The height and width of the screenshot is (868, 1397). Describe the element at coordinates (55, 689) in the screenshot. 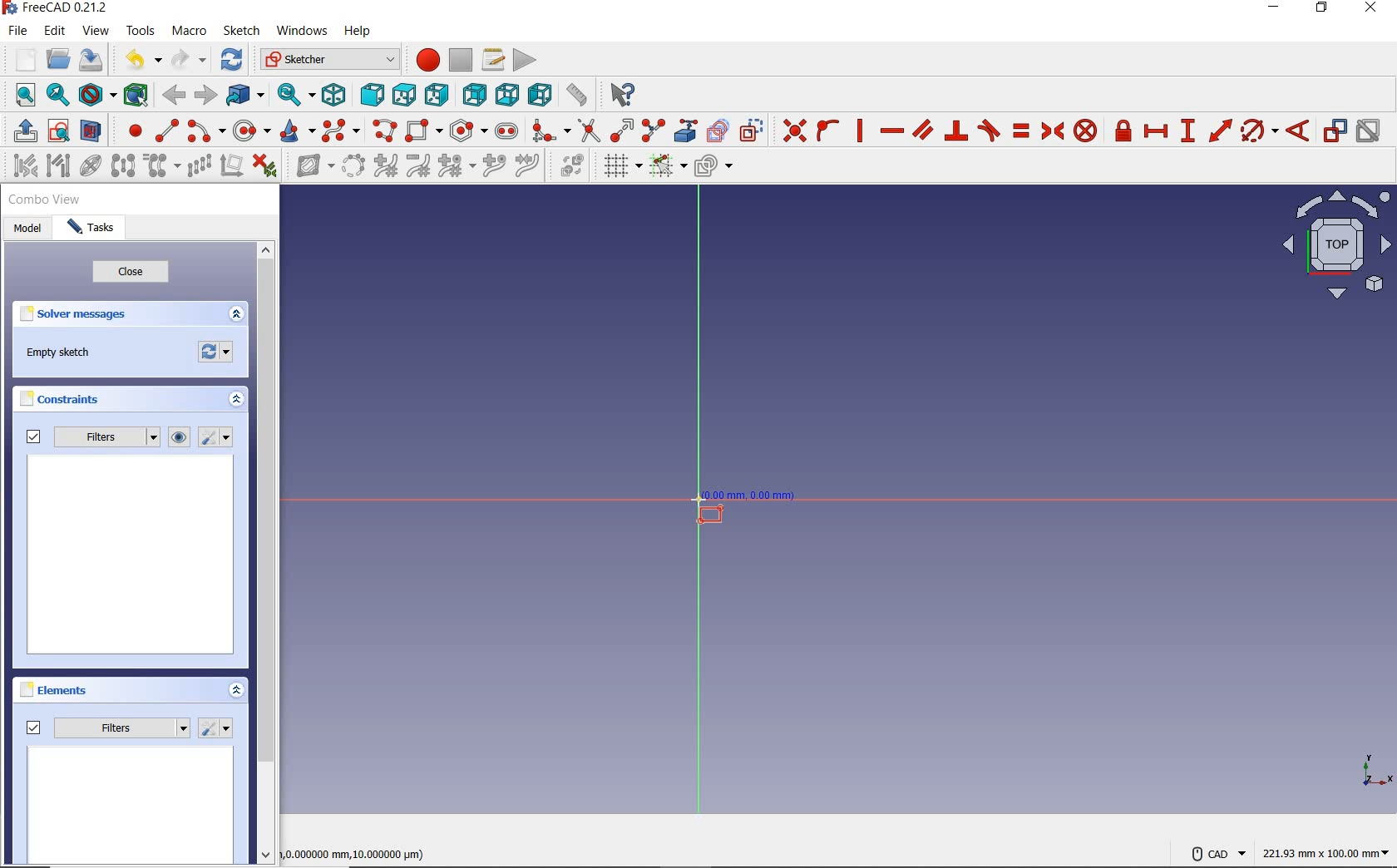

I see `elements` at that location.